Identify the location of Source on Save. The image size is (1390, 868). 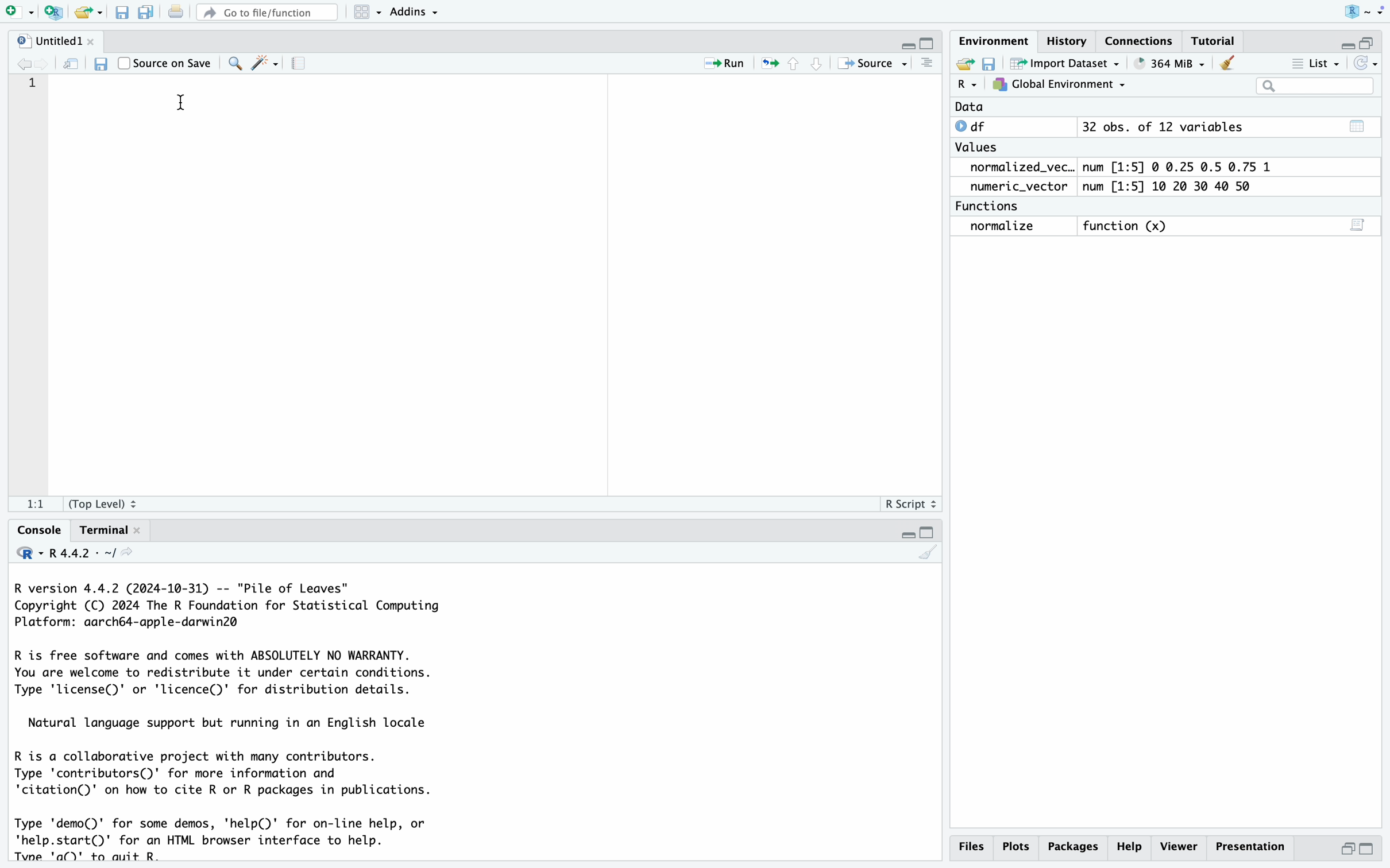
(166, 61).